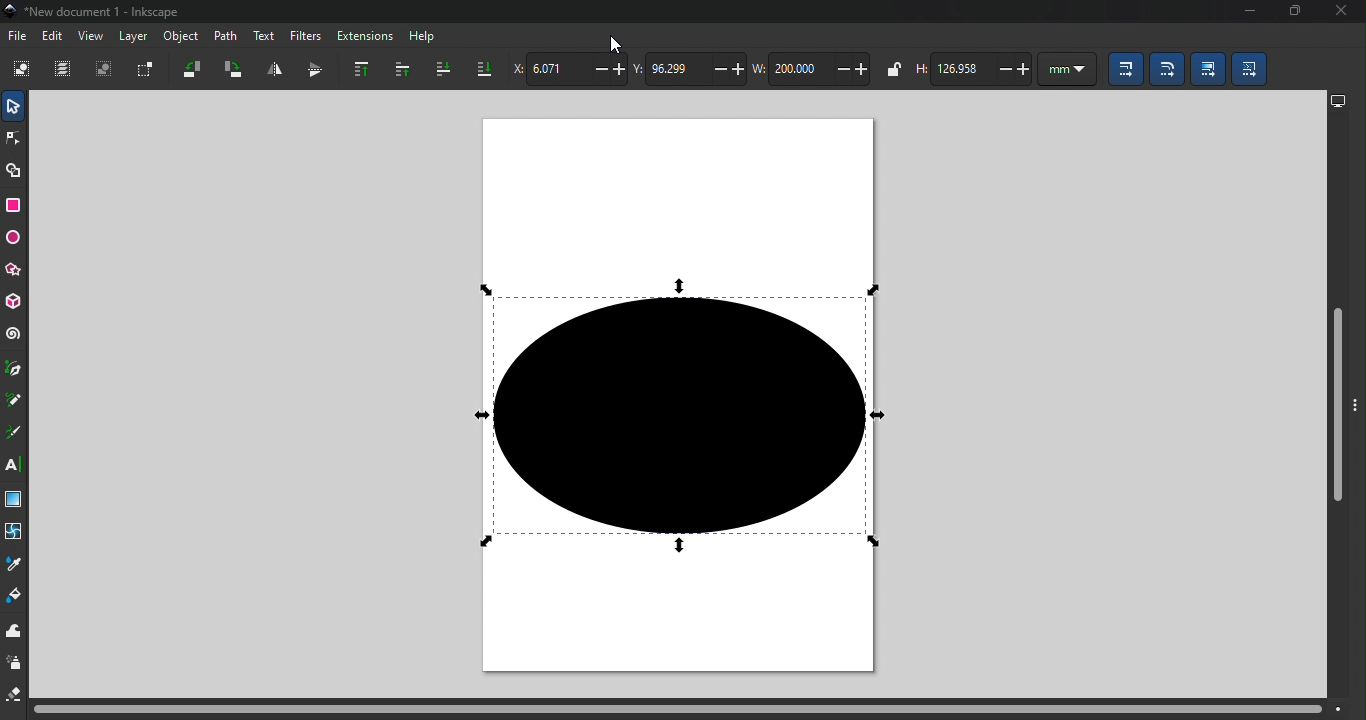  Describe the element at coordinates (25, 68) in the screenshot. I see `Select all objects` at that location.